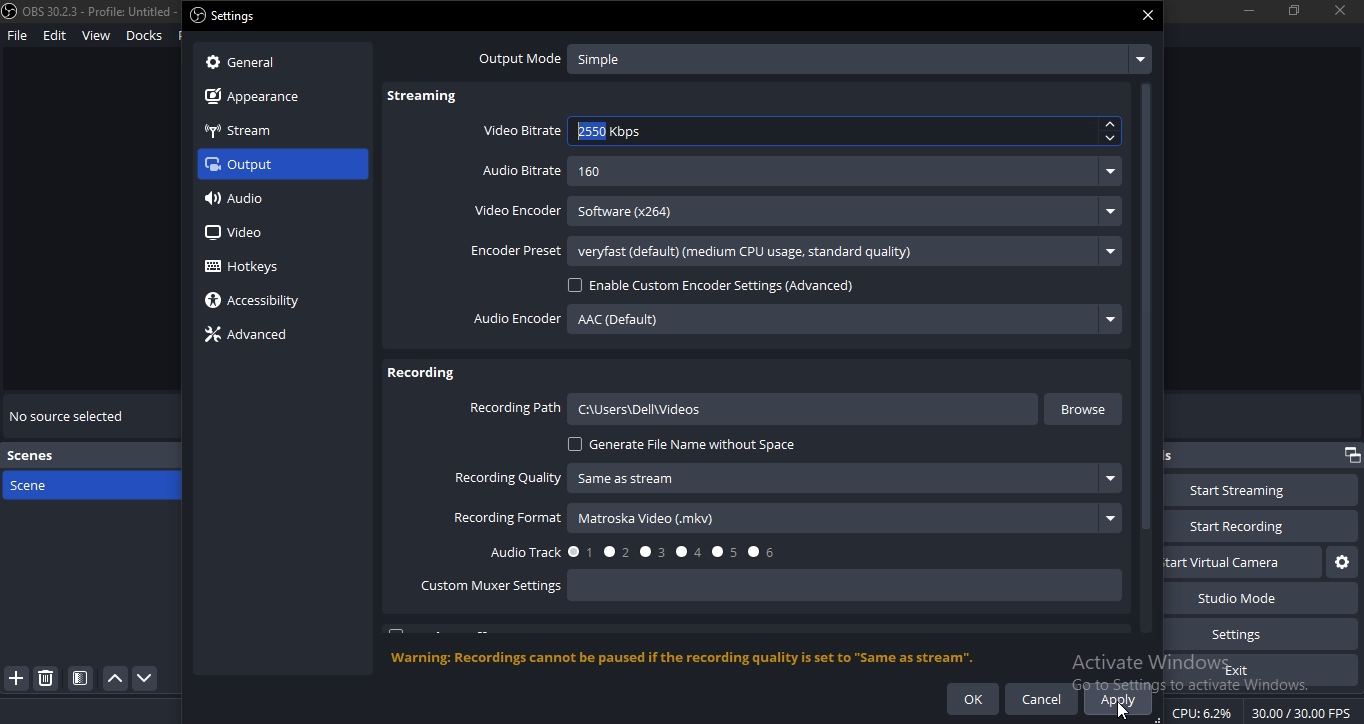  Describe the element at coordinates (848, 518) in the screenshot. I see `matroska Video (mkv)` at that location.